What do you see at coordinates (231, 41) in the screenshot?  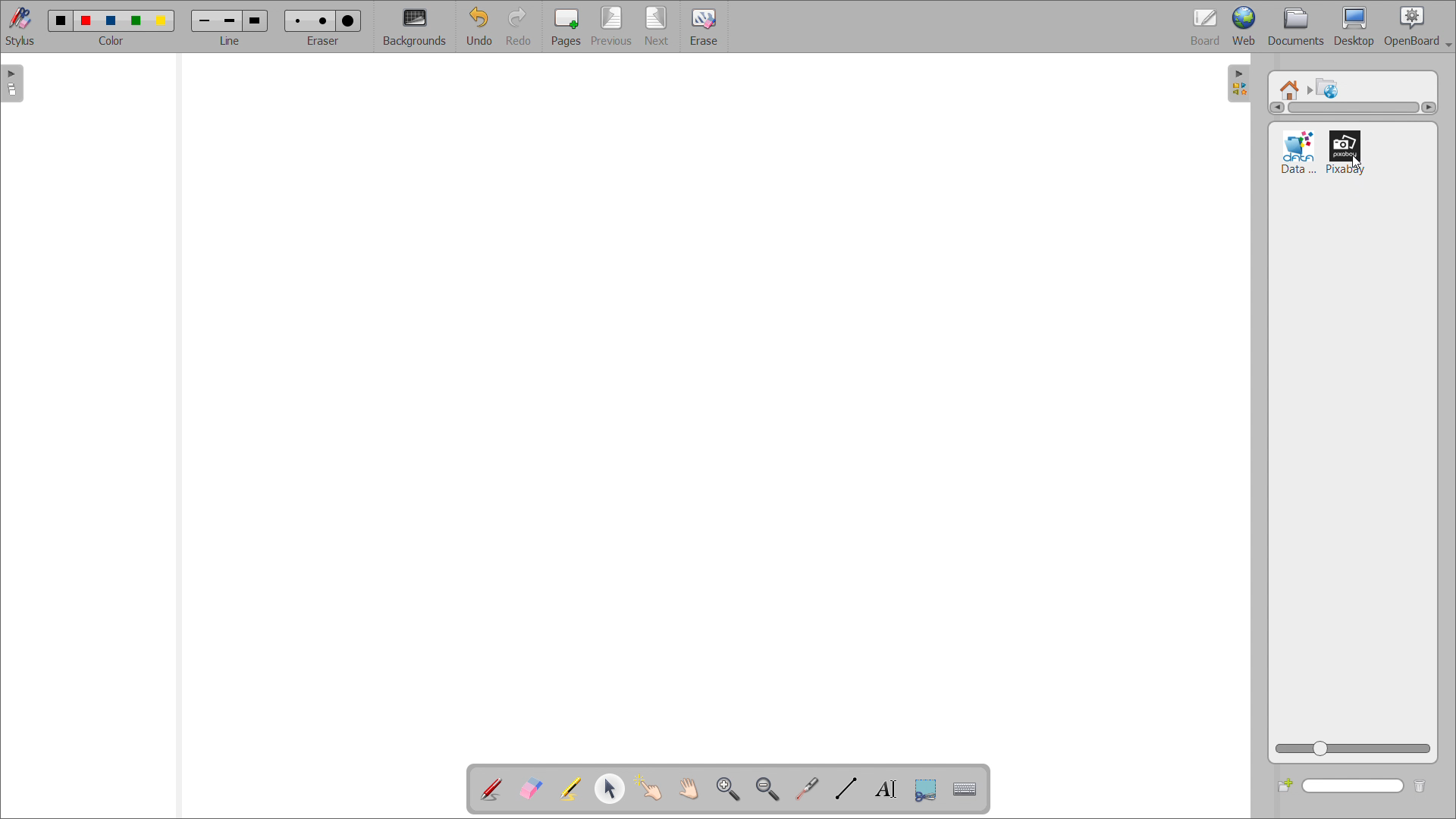 I see `Line` at bounding box center [231, 41].